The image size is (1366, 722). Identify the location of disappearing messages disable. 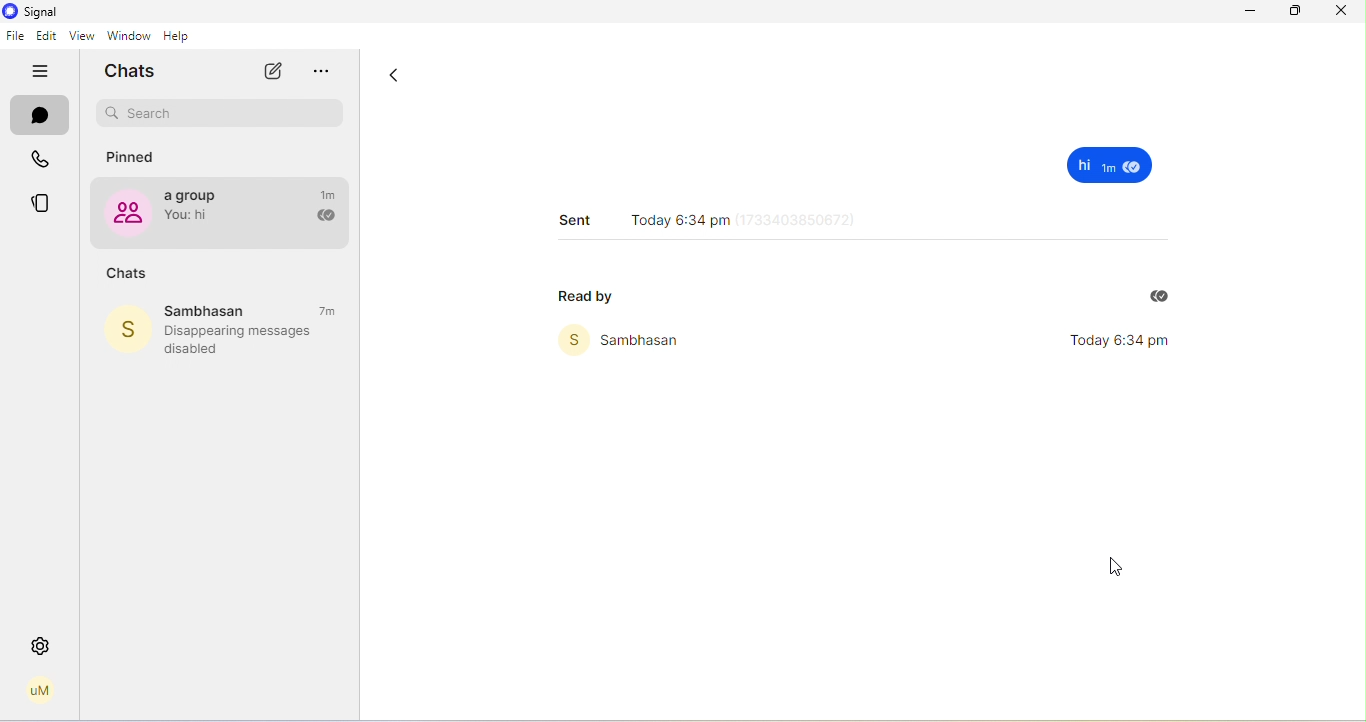
(248, 340).